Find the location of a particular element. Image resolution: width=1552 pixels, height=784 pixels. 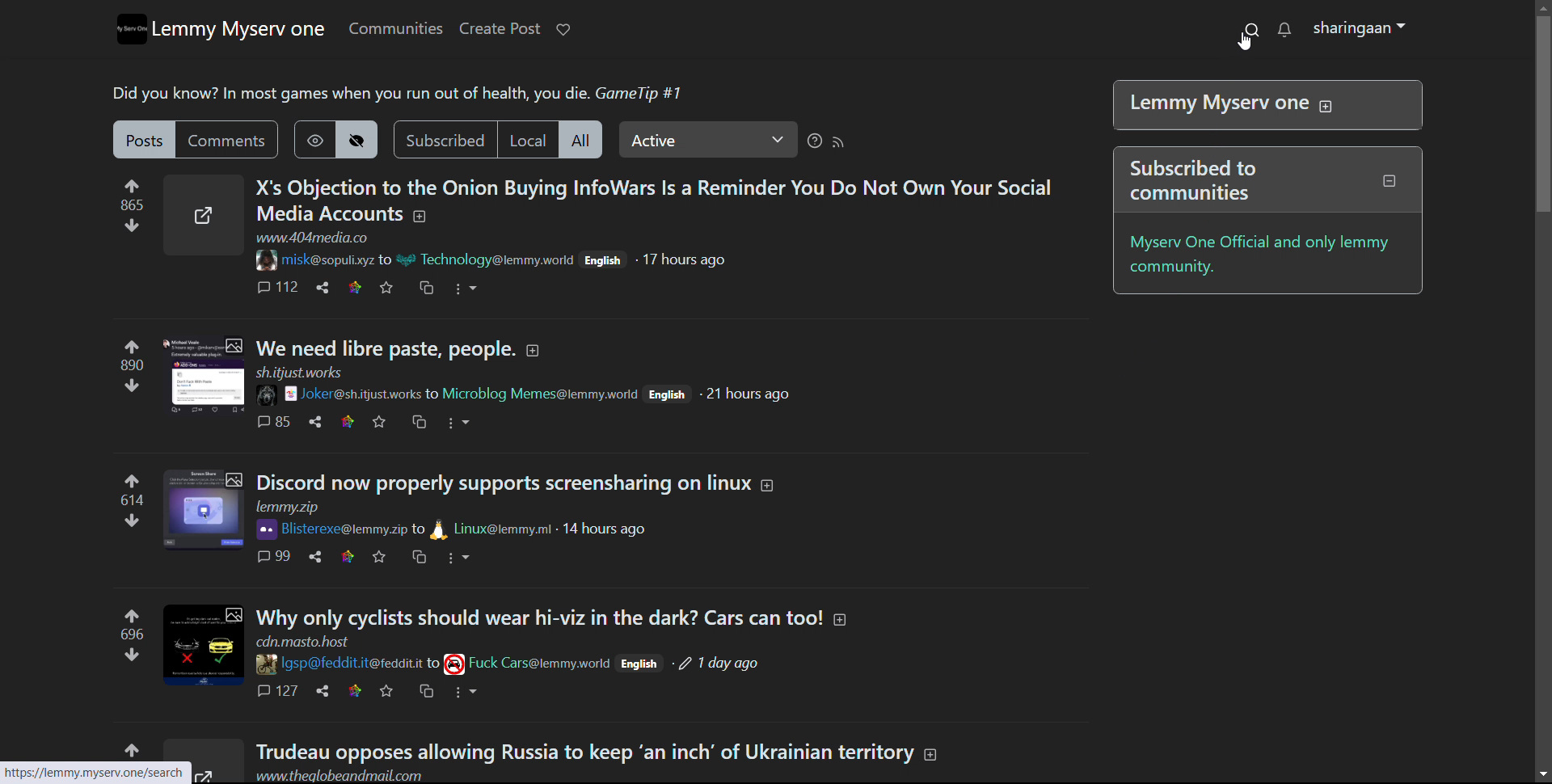

comments is located at coordinates (230, 140).